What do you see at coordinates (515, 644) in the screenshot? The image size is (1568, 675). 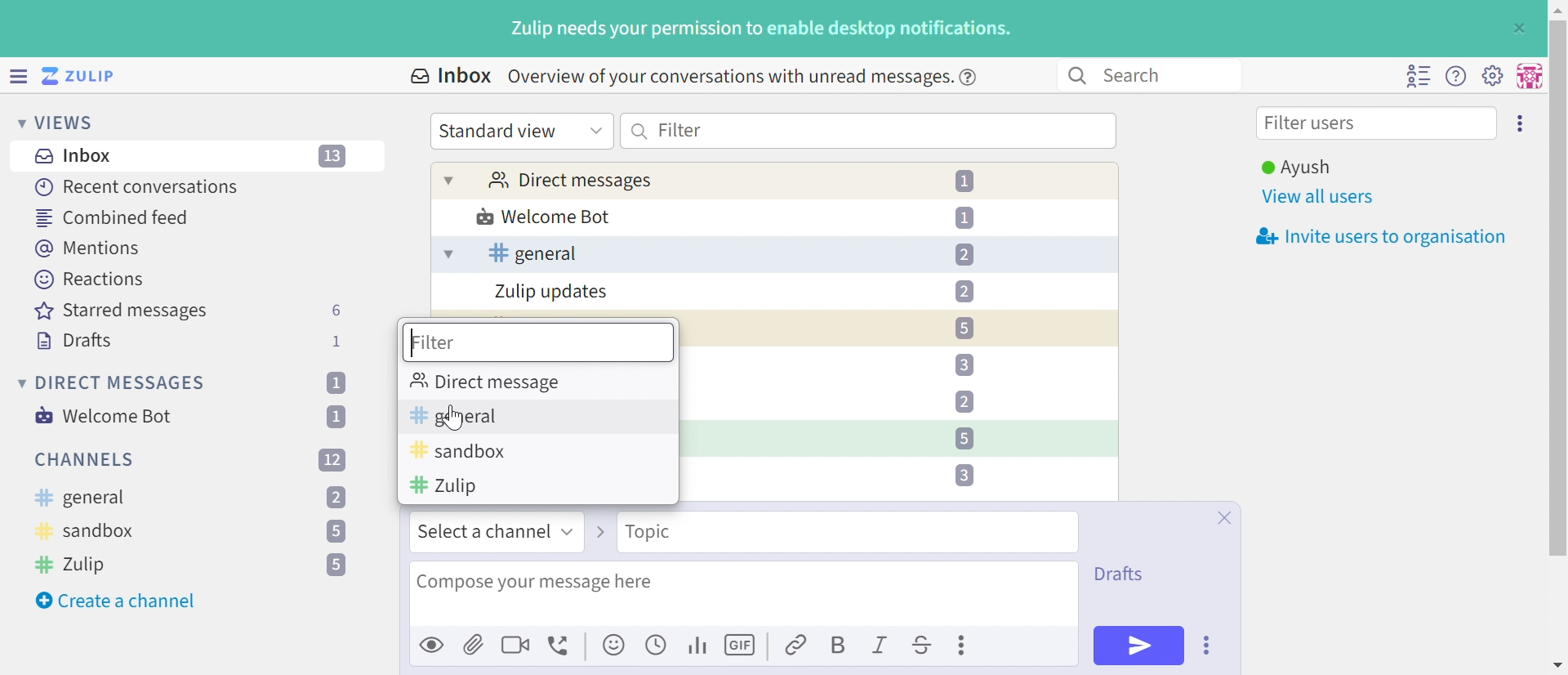 I see `Add video call` at bounding box center [515, 644].